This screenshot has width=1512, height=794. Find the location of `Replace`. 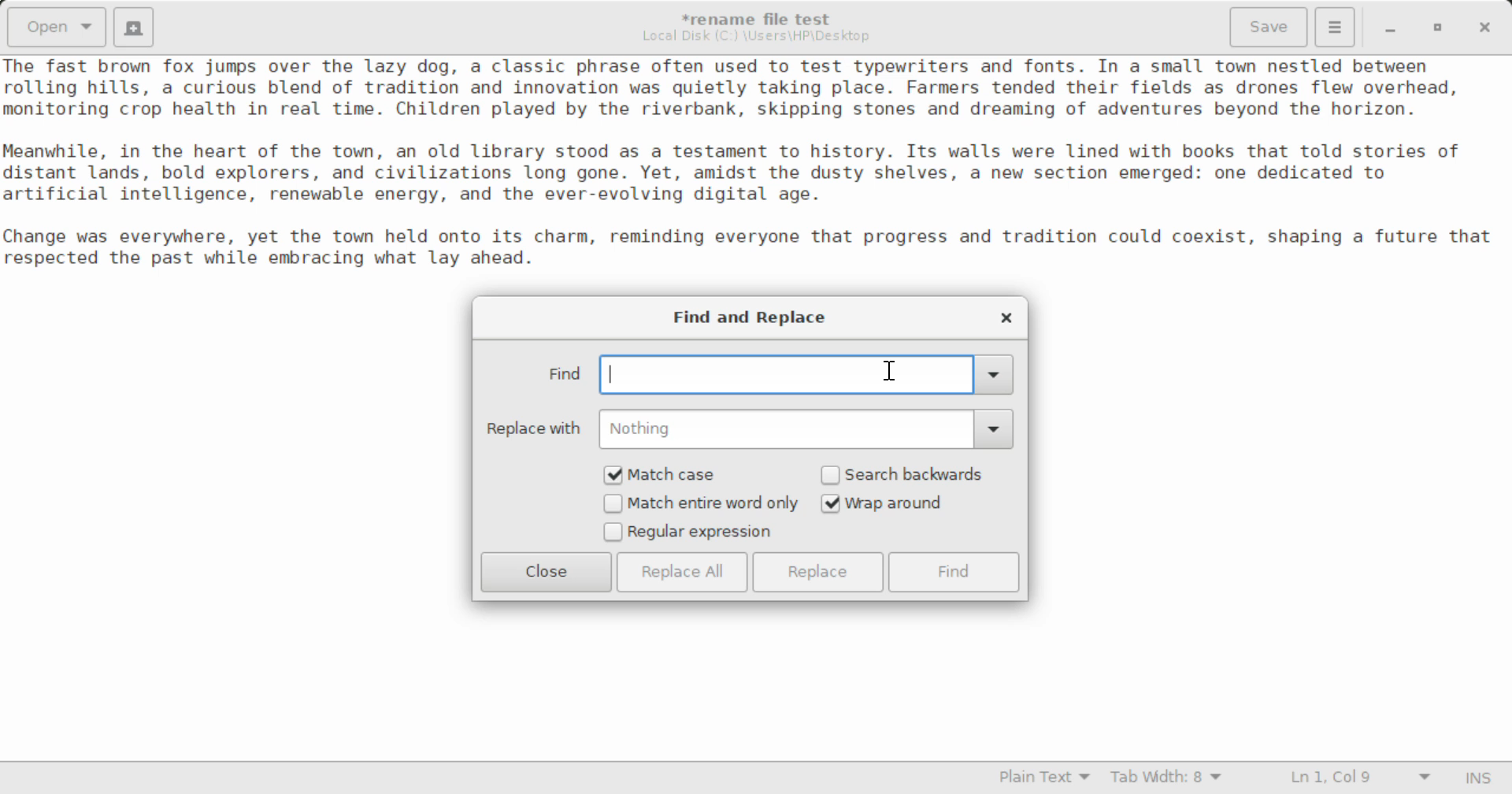

Replace is located at coordinates (821, 572).